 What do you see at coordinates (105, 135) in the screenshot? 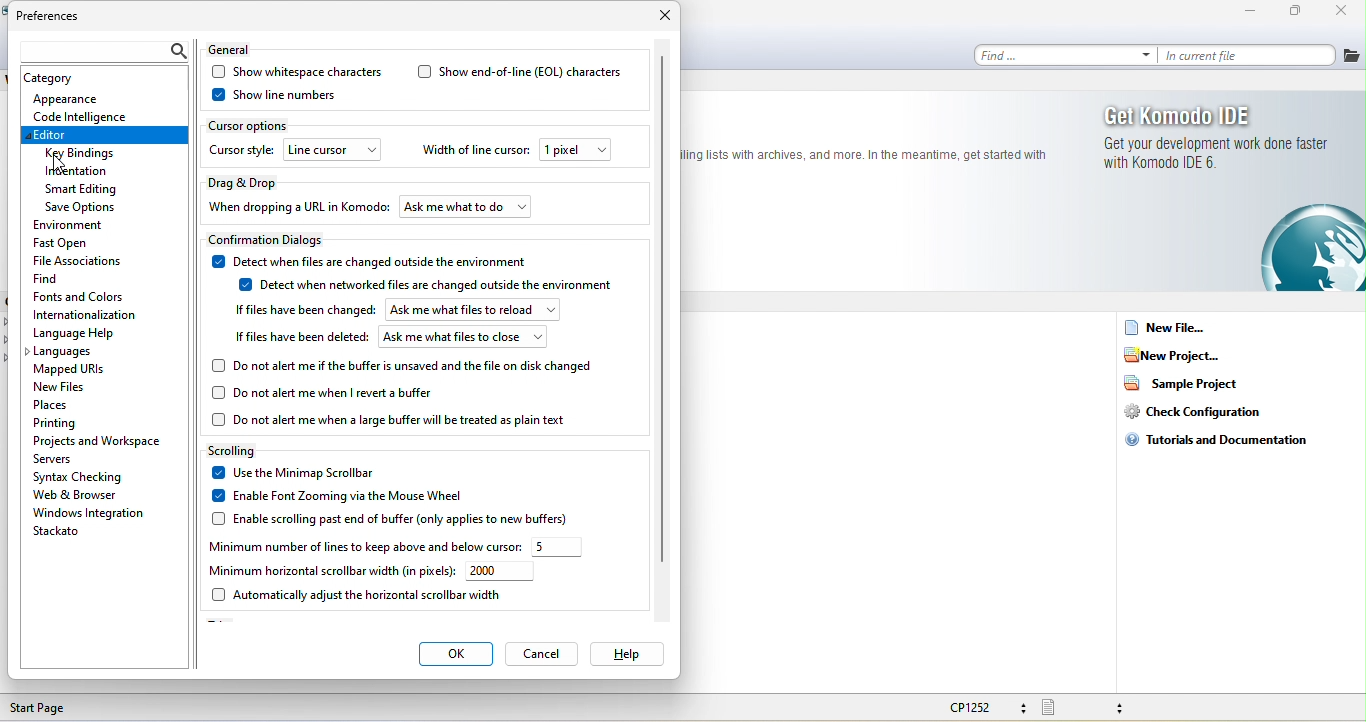
I see `editor` at bounding box center [105, 135].